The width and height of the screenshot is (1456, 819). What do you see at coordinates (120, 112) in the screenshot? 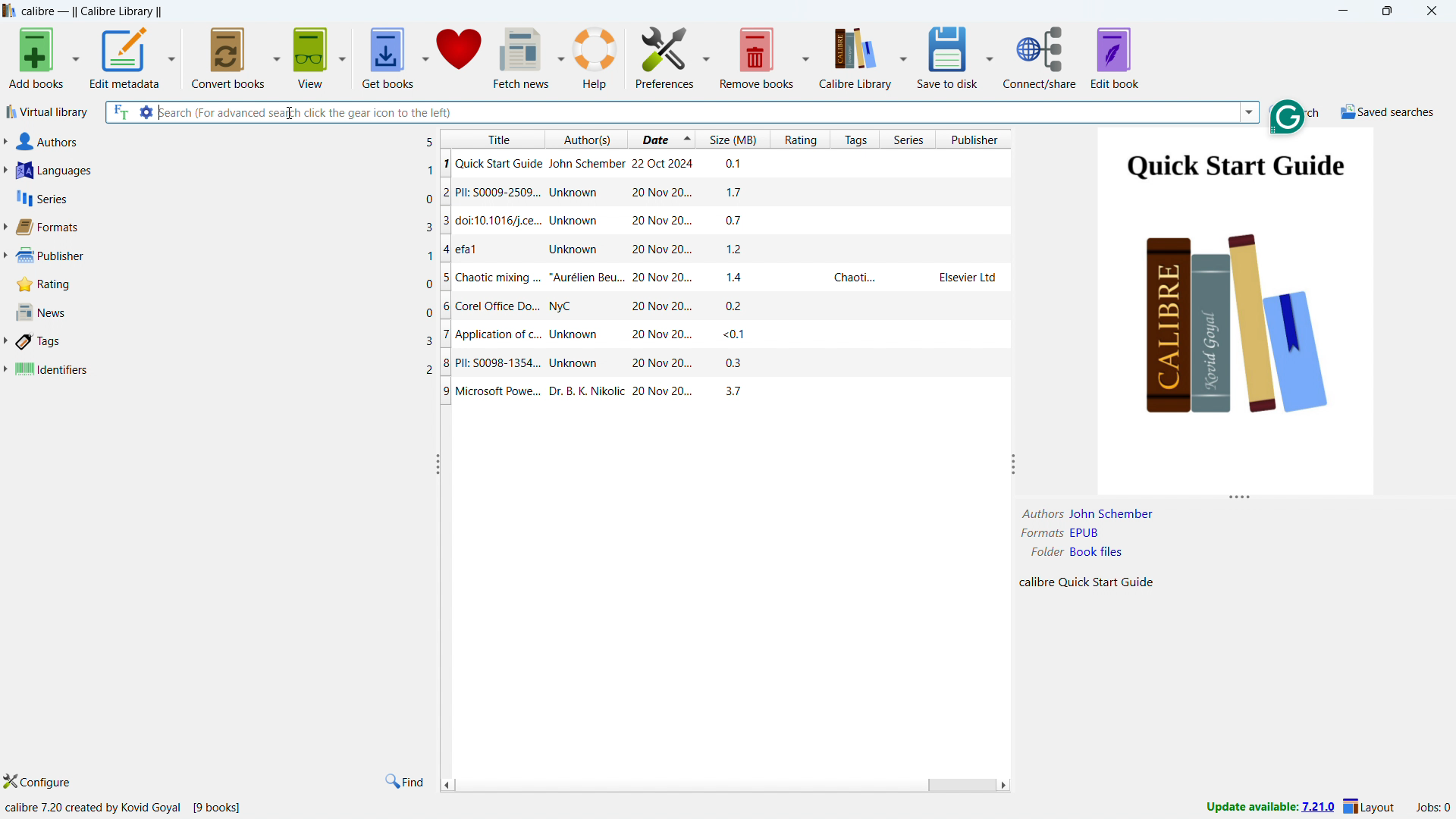
I see `search full text` at bounding box center [120, 112].